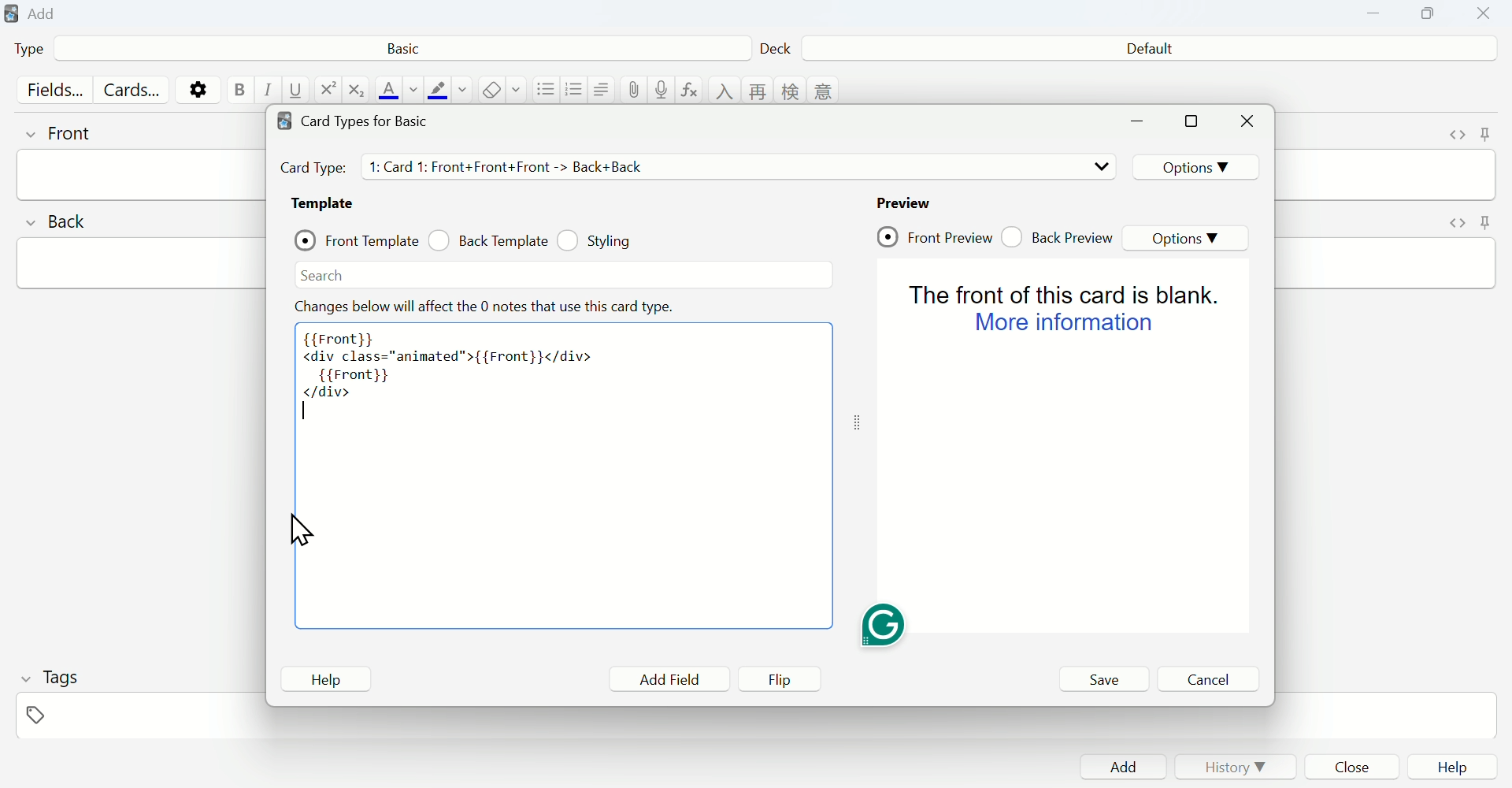  Describe the element at coordinates (882, 626) in the screenshot. I see `Grammarly extension` at that location.